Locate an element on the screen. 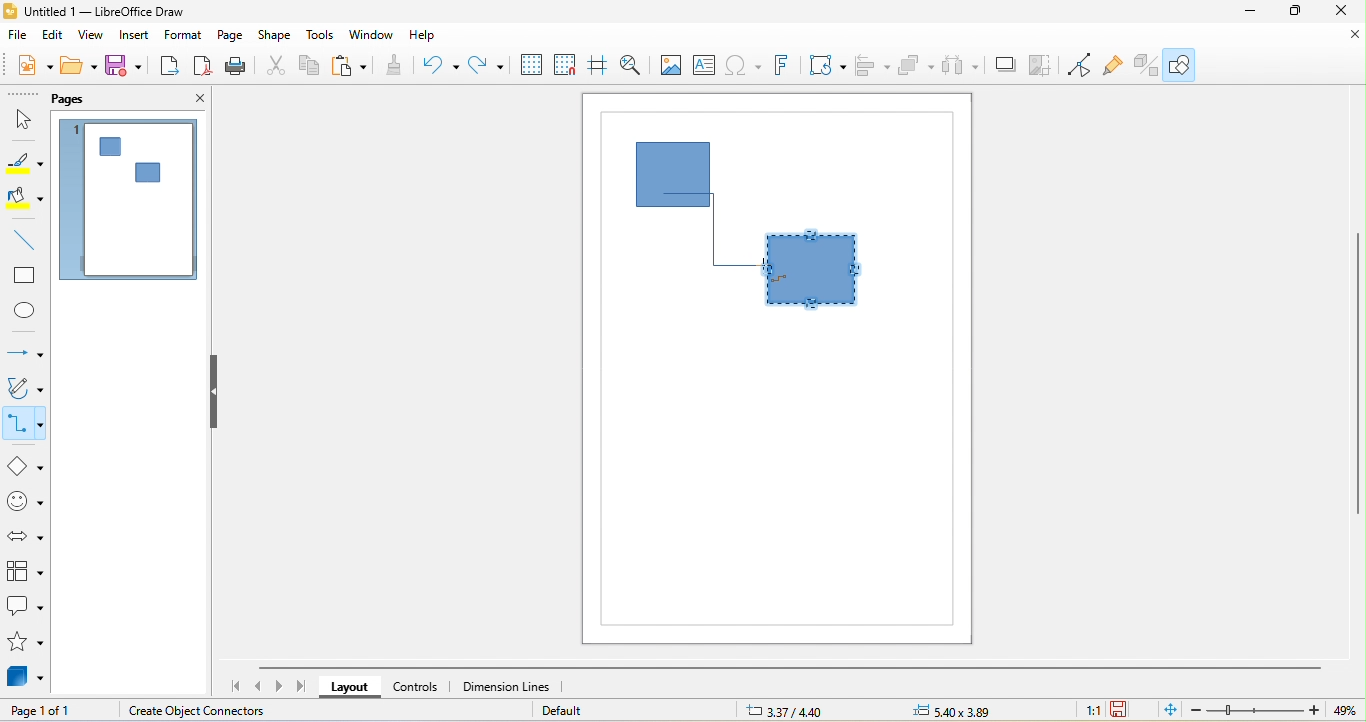 This screenshot has height=722, width=1366. file is located at coordinates (19, 35).